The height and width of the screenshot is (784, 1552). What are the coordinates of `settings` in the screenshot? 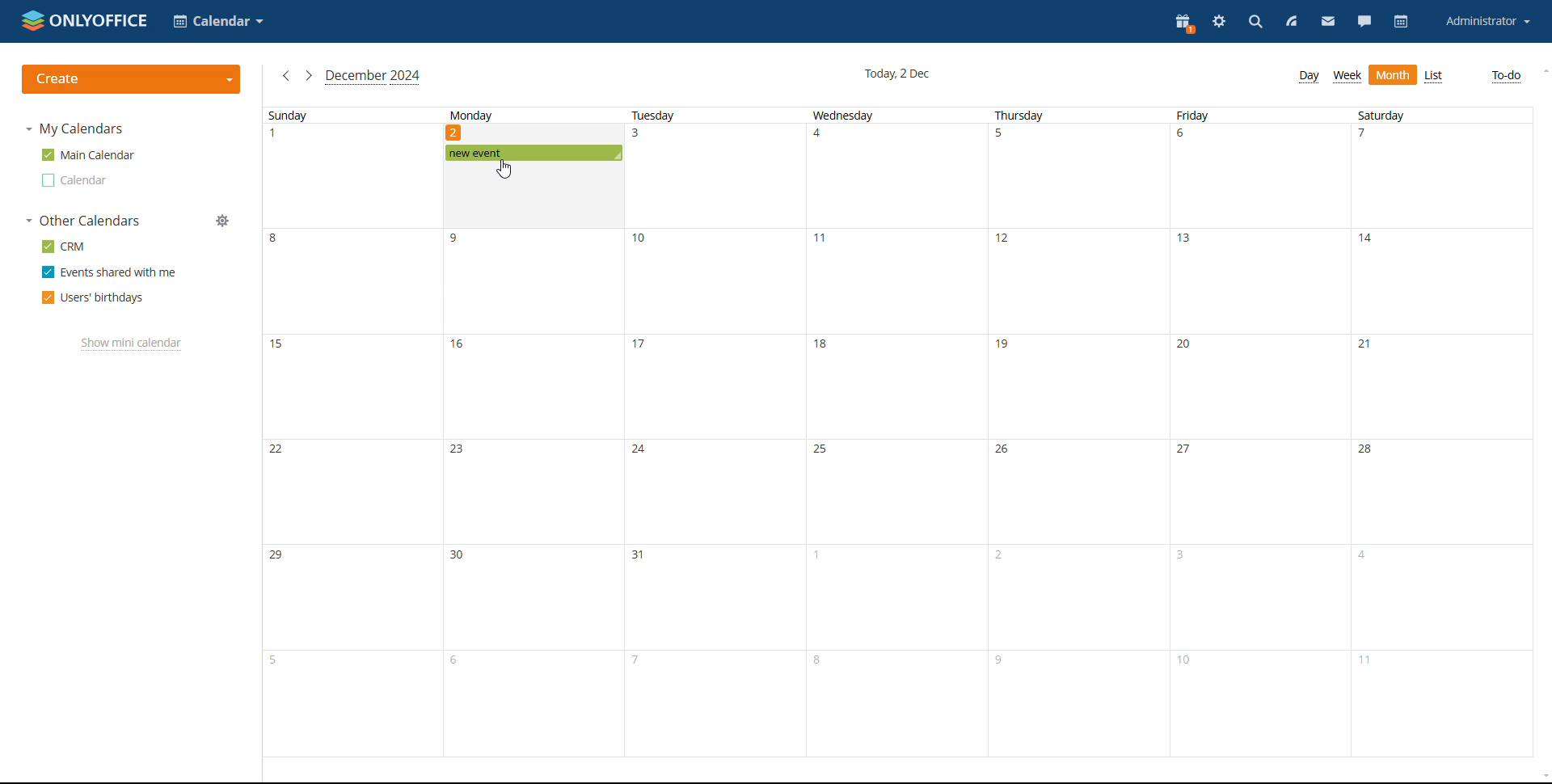 It's located at (1221, 23).